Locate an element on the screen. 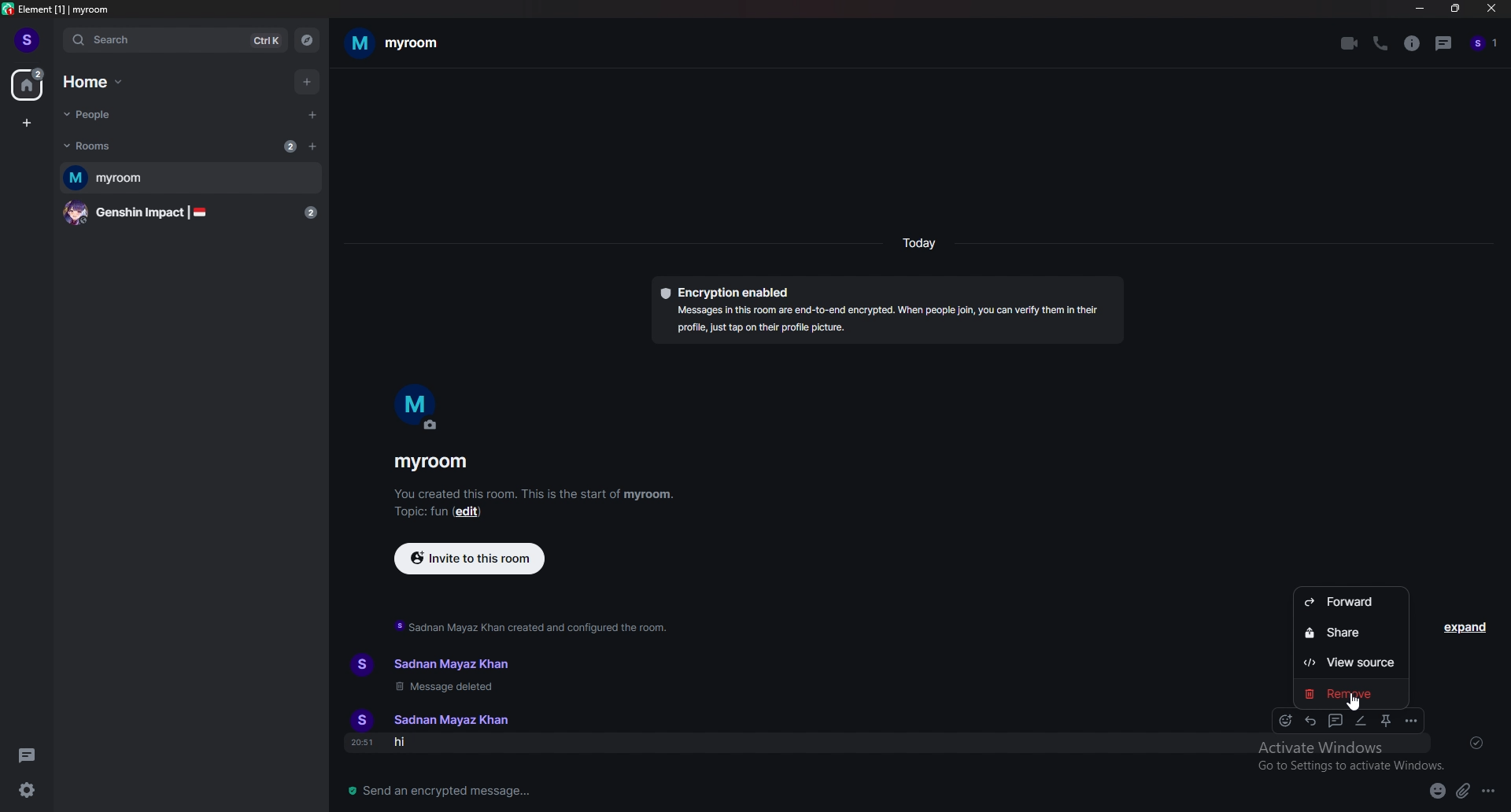 Image resolution: width=1511 pixels, height=812 pixels. pin is located at coordinates (1388, 722).